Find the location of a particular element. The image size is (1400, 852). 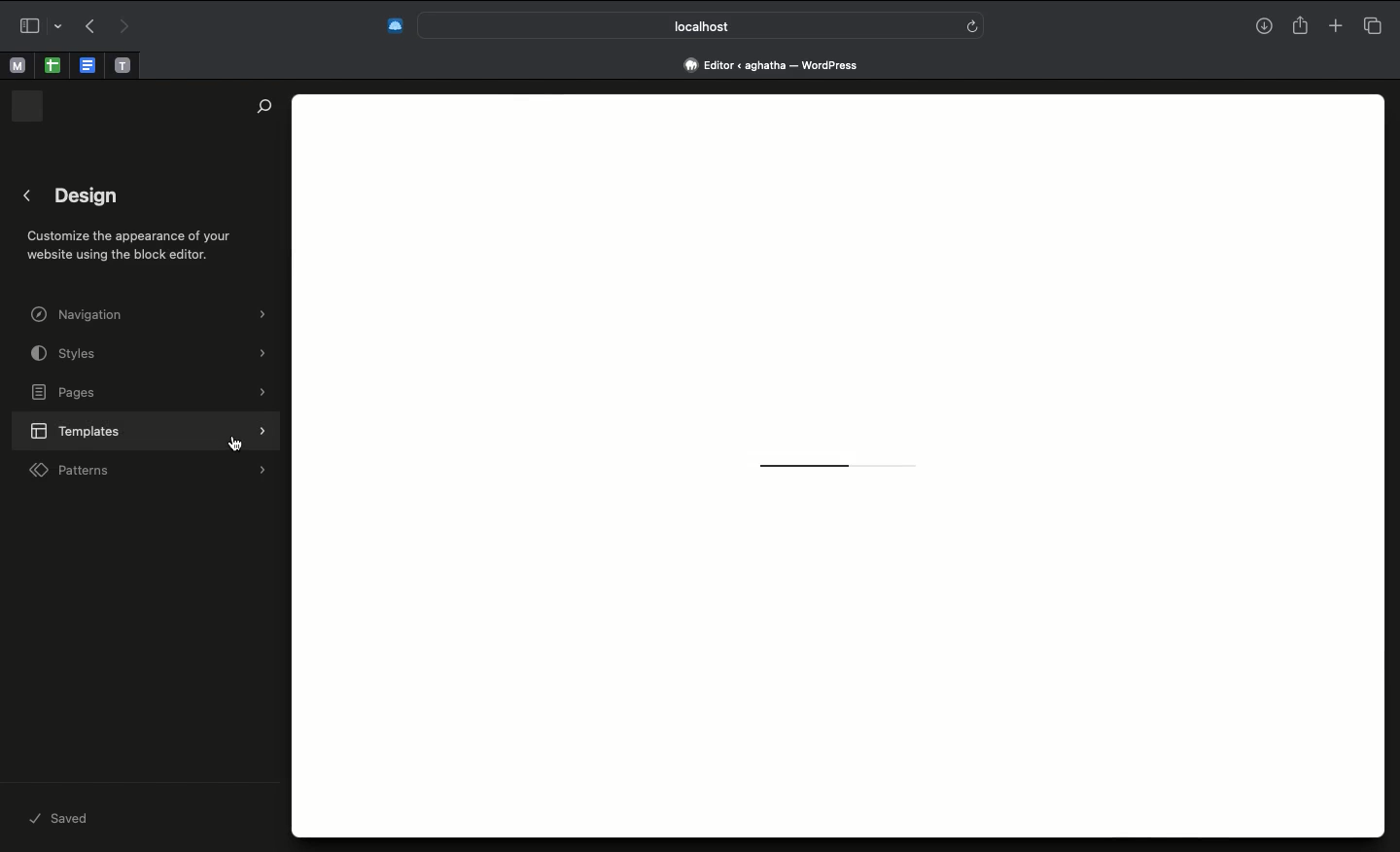

Patterns is located at coordinates (148, 471).